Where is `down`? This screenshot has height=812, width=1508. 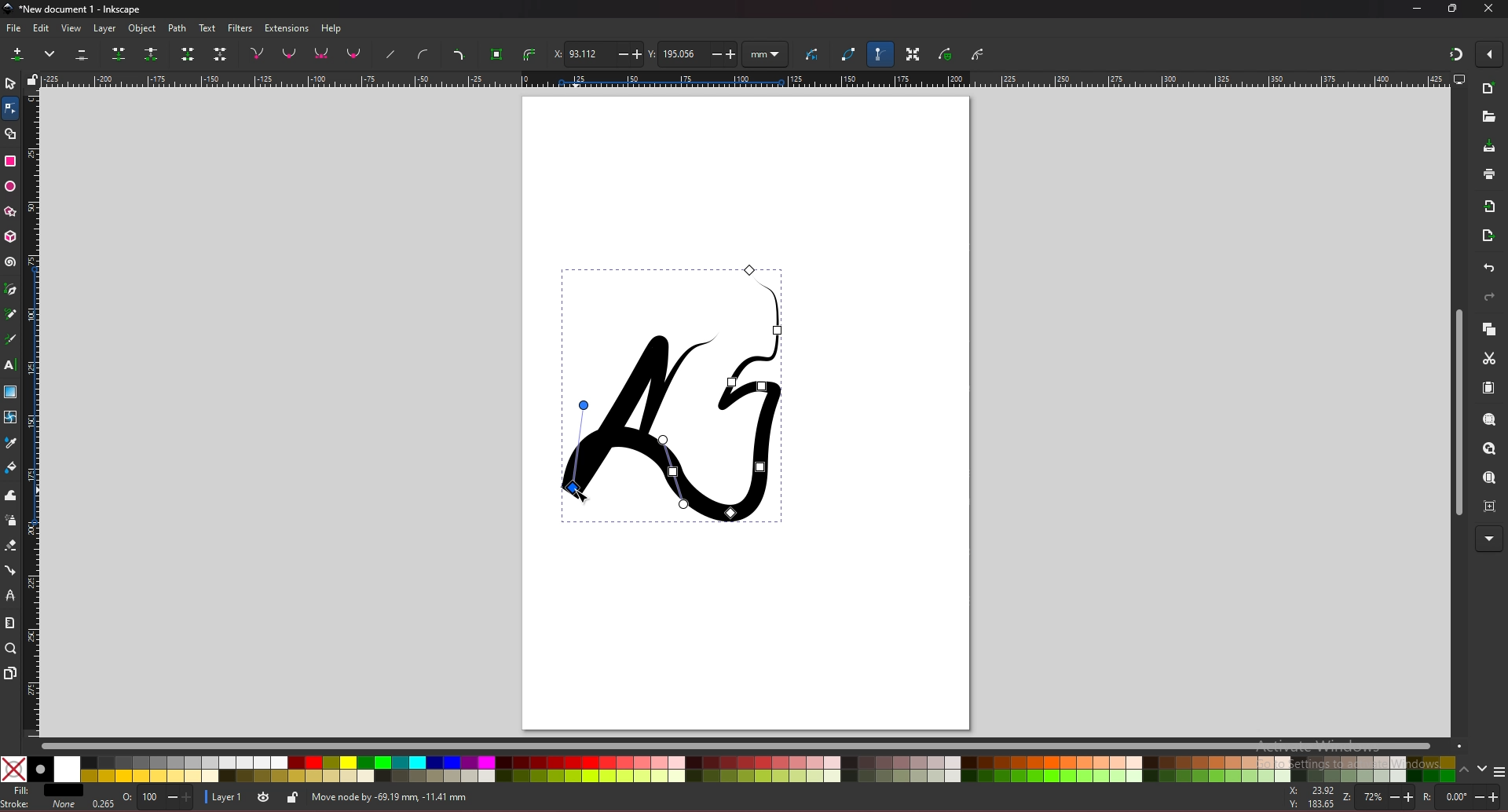
down is located at coordinates (1484, 769).